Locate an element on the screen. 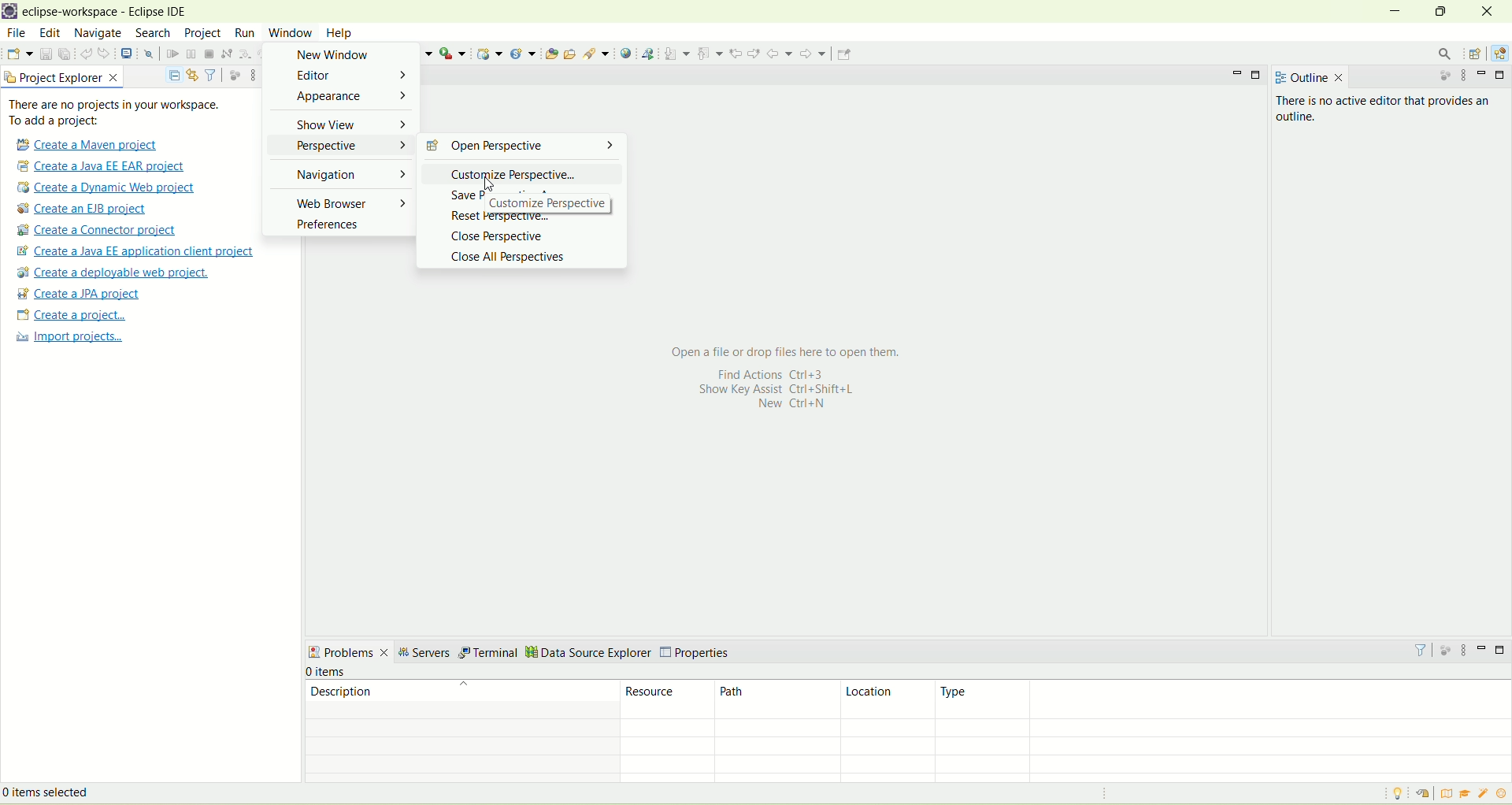  back is located at coordinates (779, 54).